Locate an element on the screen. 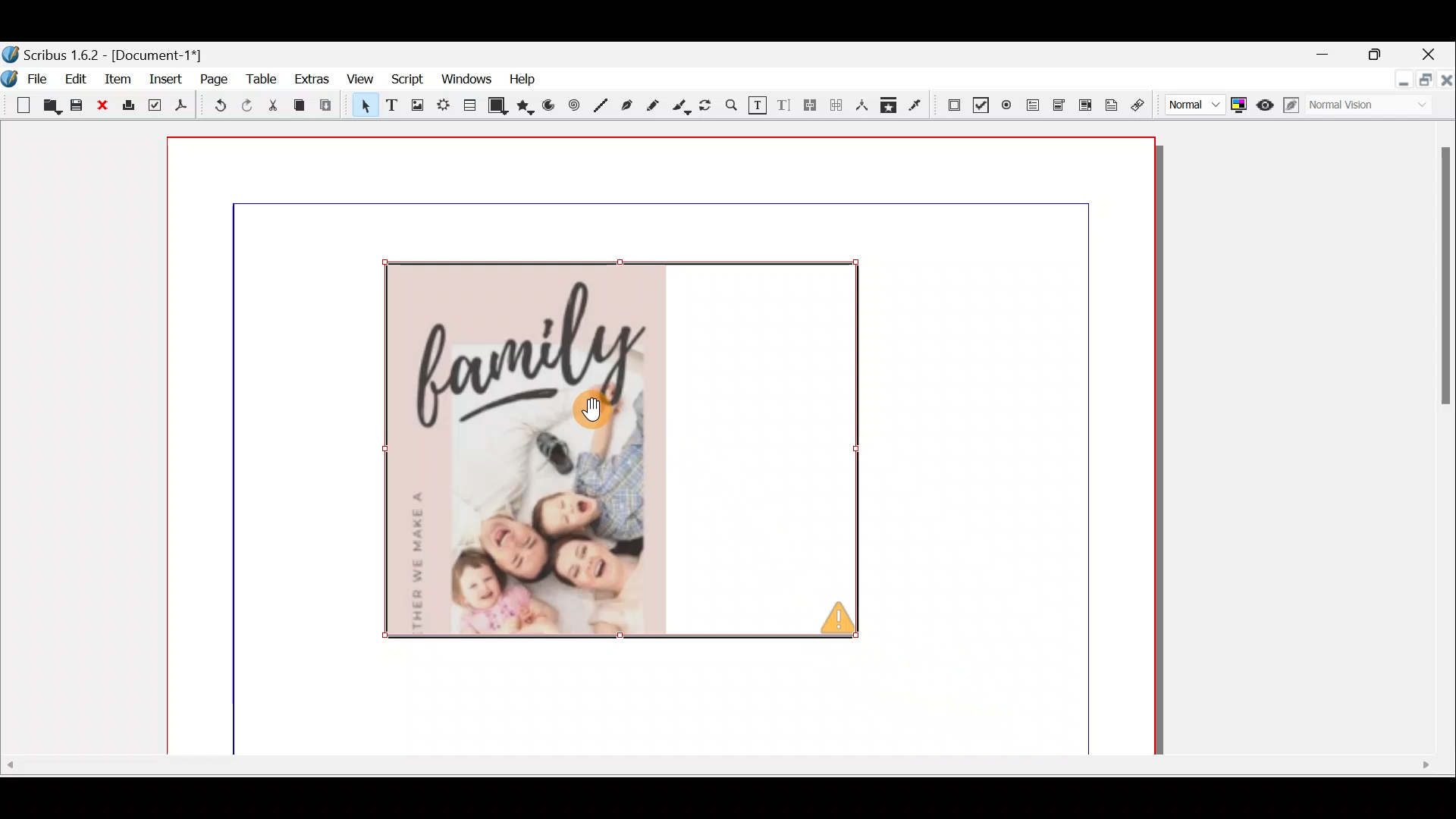 The width and height of the screenshot is (1456, 819). Open is located at coordinates (48, 106).